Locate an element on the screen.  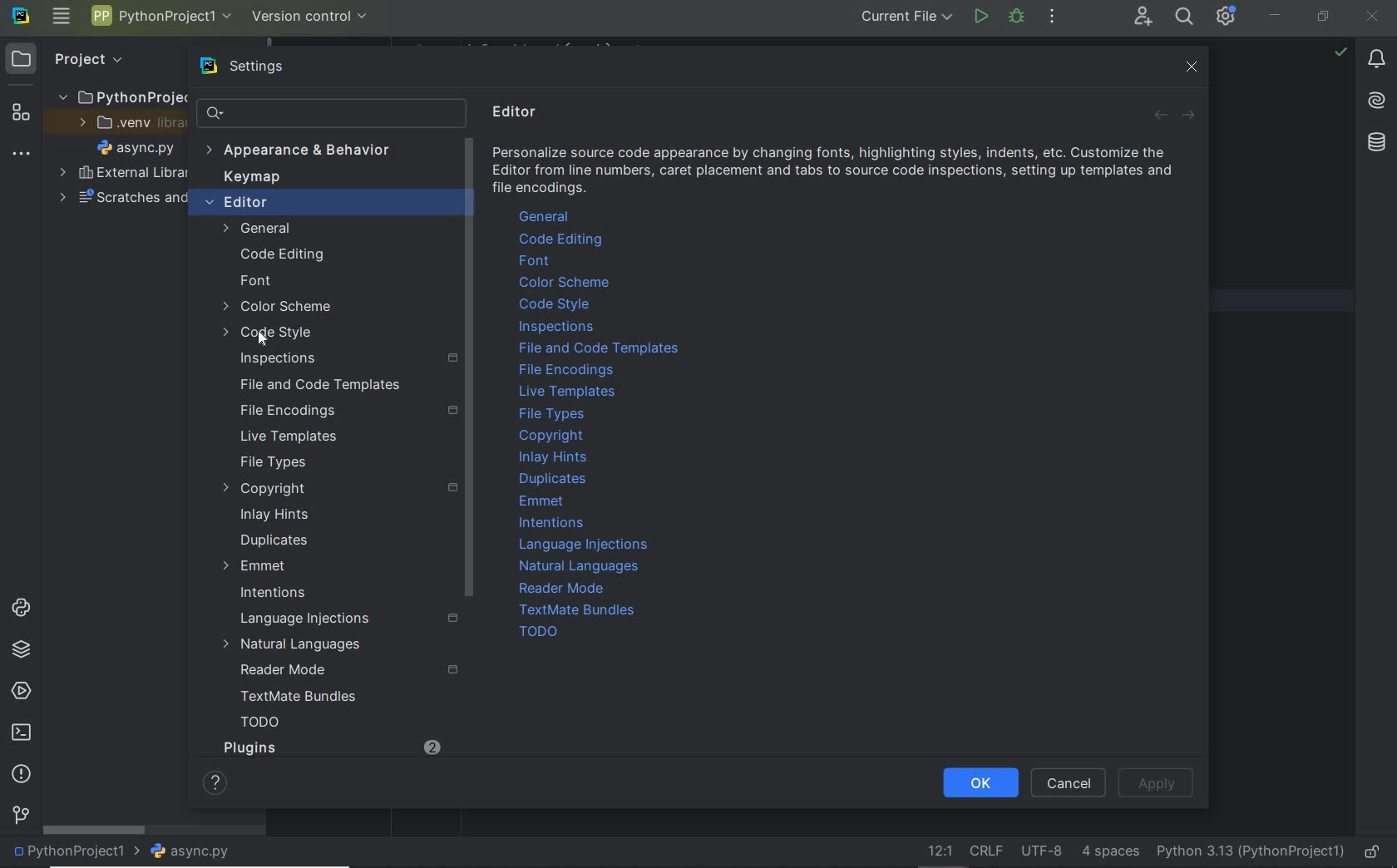
Intentions is located at coordinates (274, 594).